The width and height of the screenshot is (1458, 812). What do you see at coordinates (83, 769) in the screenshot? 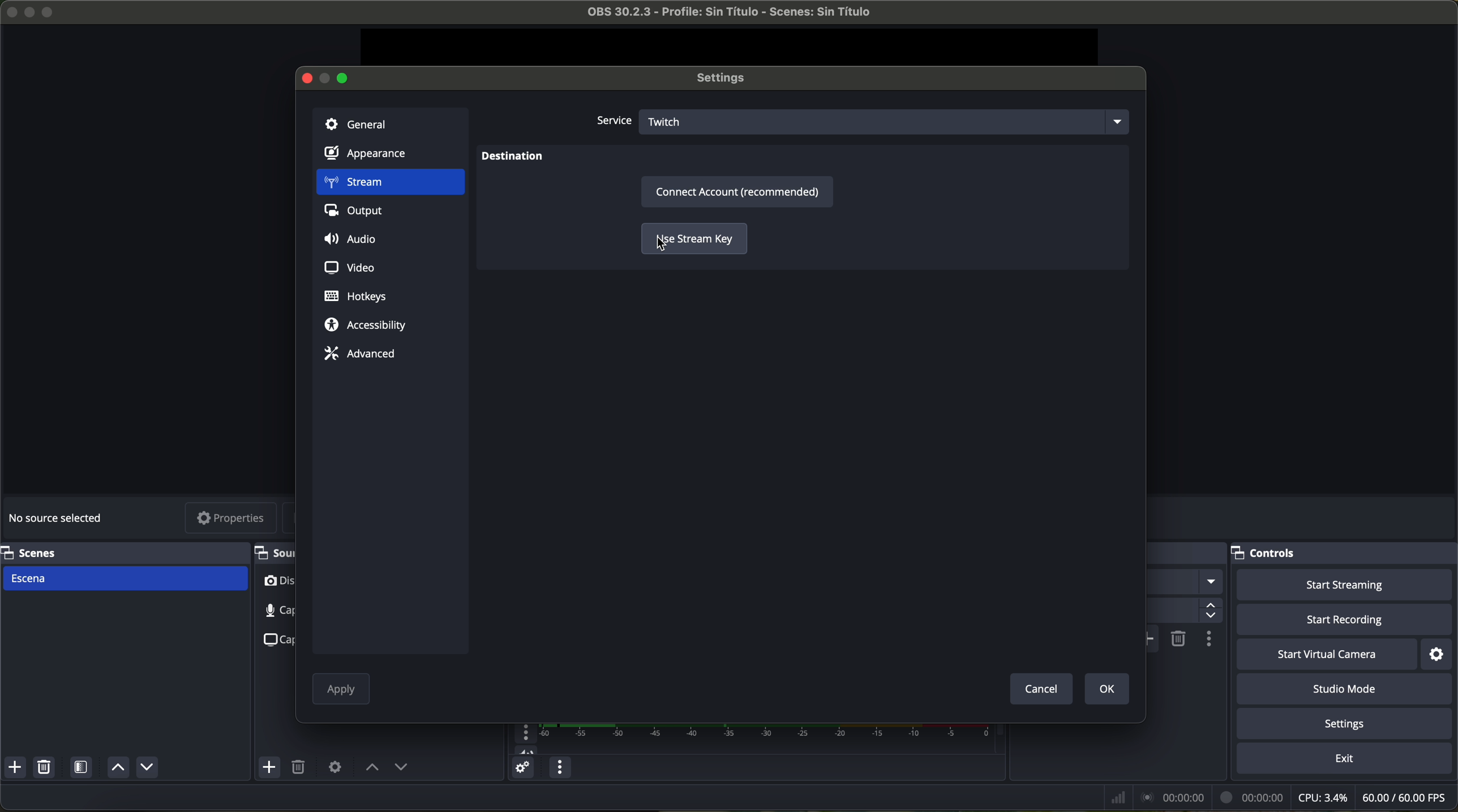
I see `open scene filters` at bounding box center [83, 769].